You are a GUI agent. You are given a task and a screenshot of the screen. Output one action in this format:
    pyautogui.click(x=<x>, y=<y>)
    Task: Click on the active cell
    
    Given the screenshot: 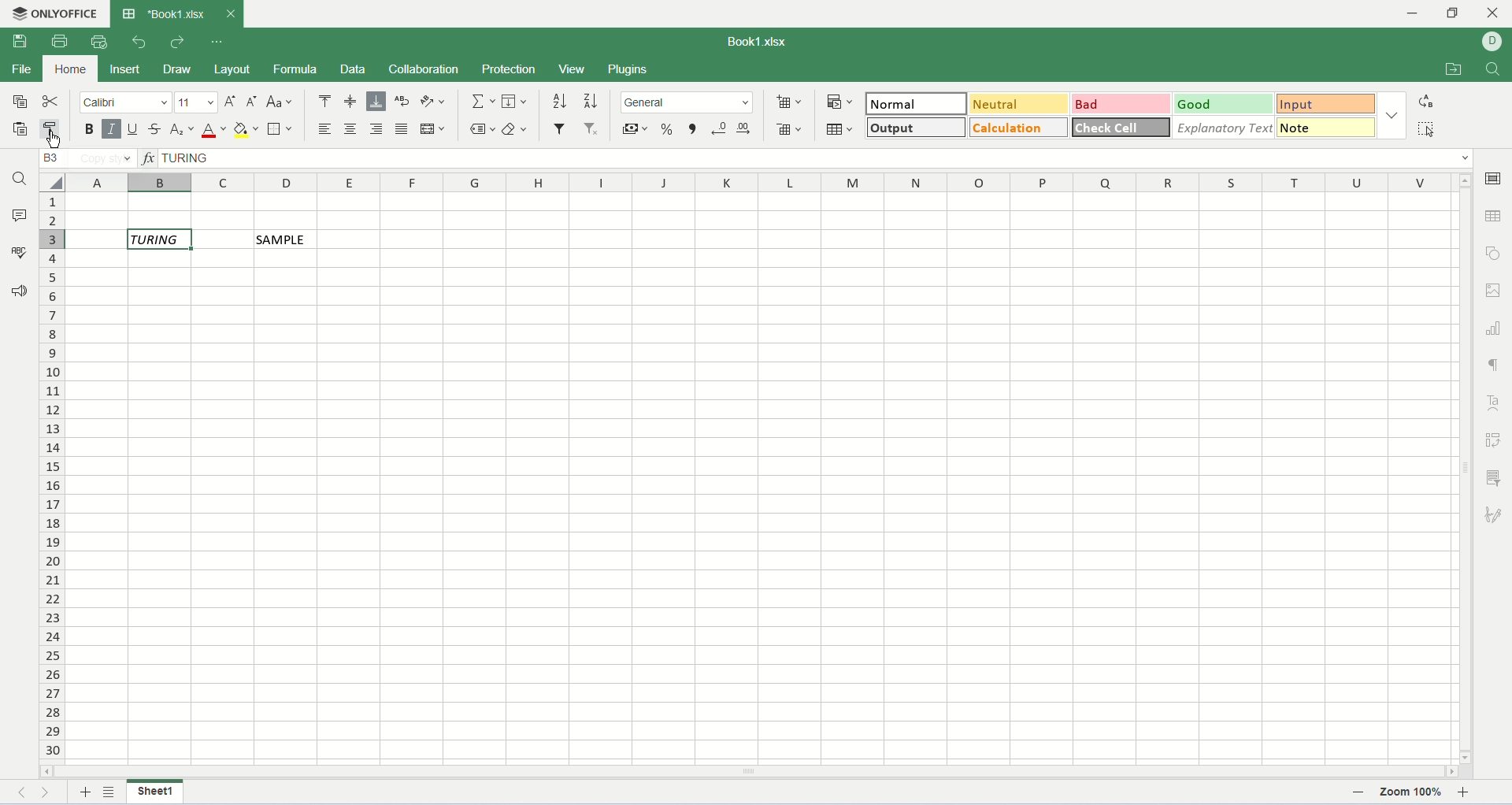 What is the action you would take?
    pyautogui.click(x=159, y=239)
    